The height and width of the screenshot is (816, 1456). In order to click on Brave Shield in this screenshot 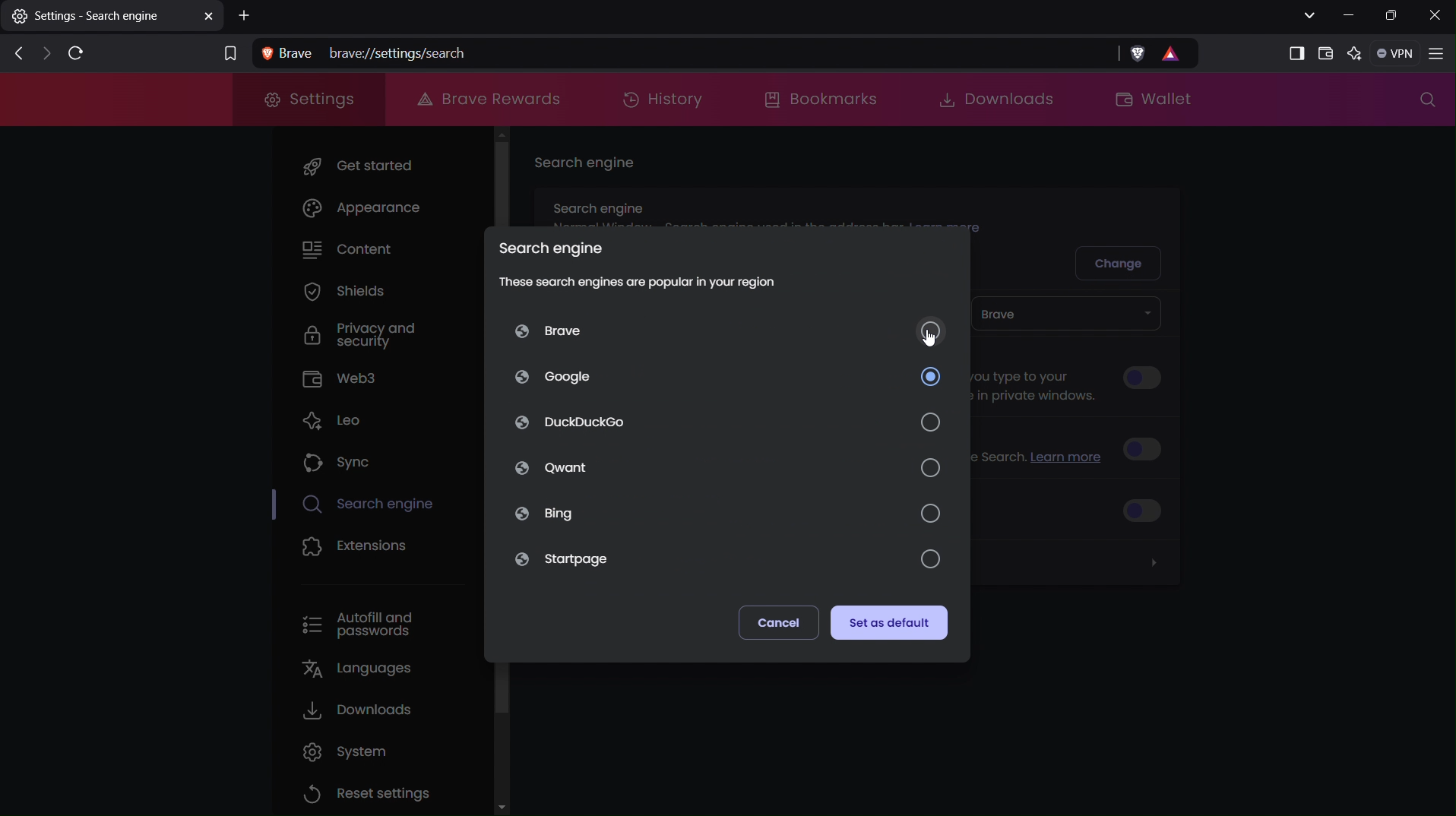, I will do `click(1137, 54)`.